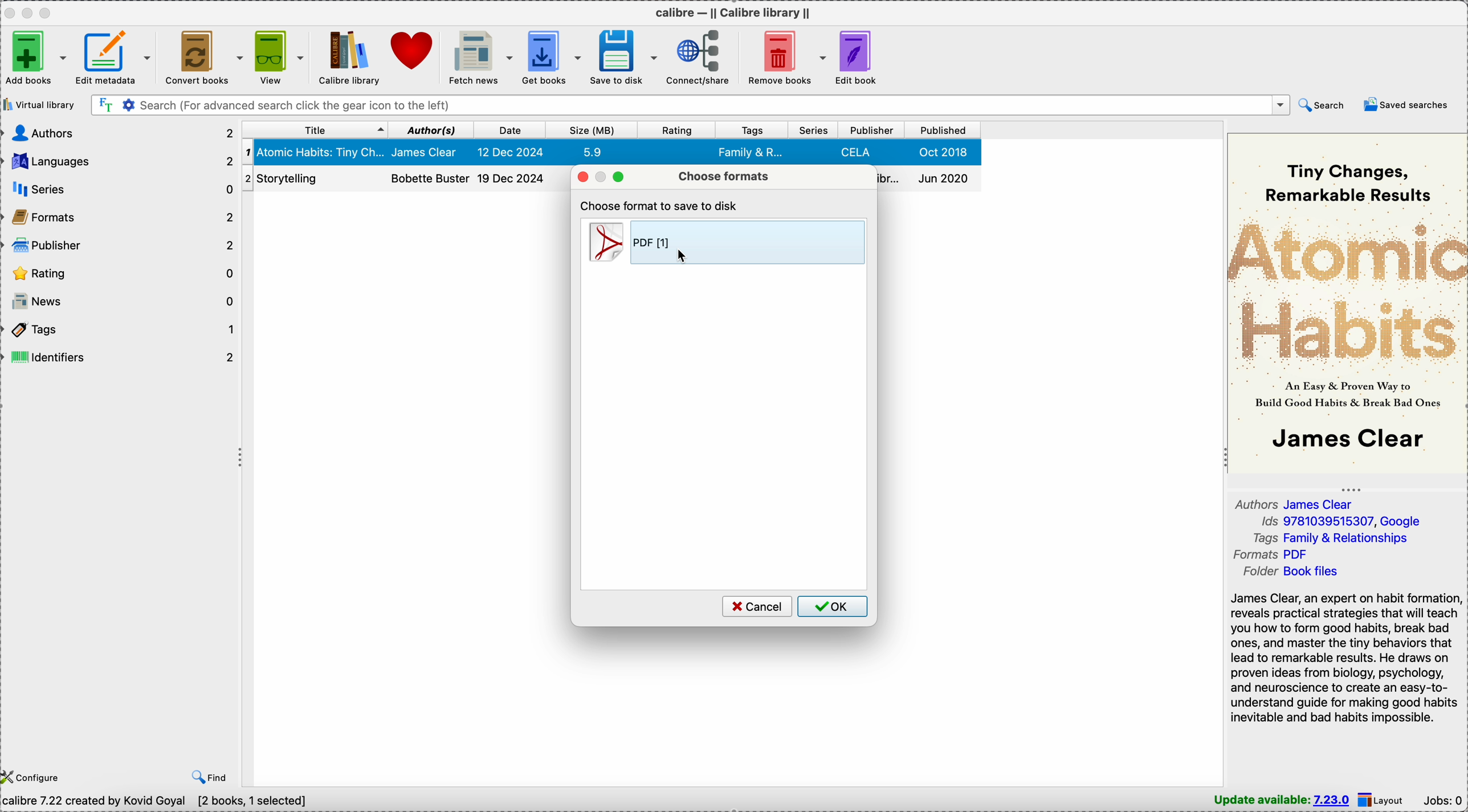  What do you see at coordinates (871, 130) in the screenshot?
I see `publisher` at bounding box center [871, 130].